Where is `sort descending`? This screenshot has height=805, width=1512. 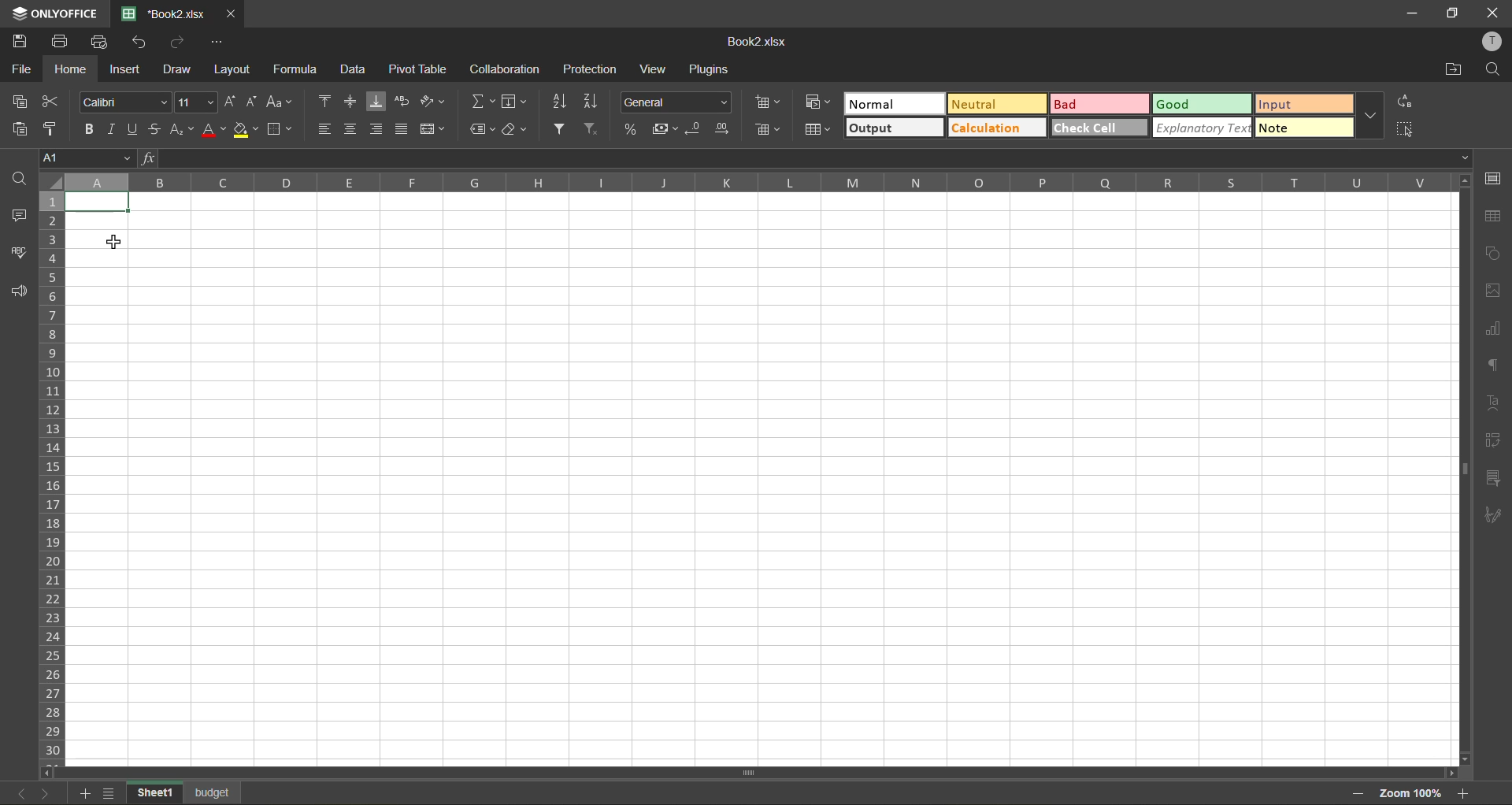 sort descending is located at coordinates (594, 101).